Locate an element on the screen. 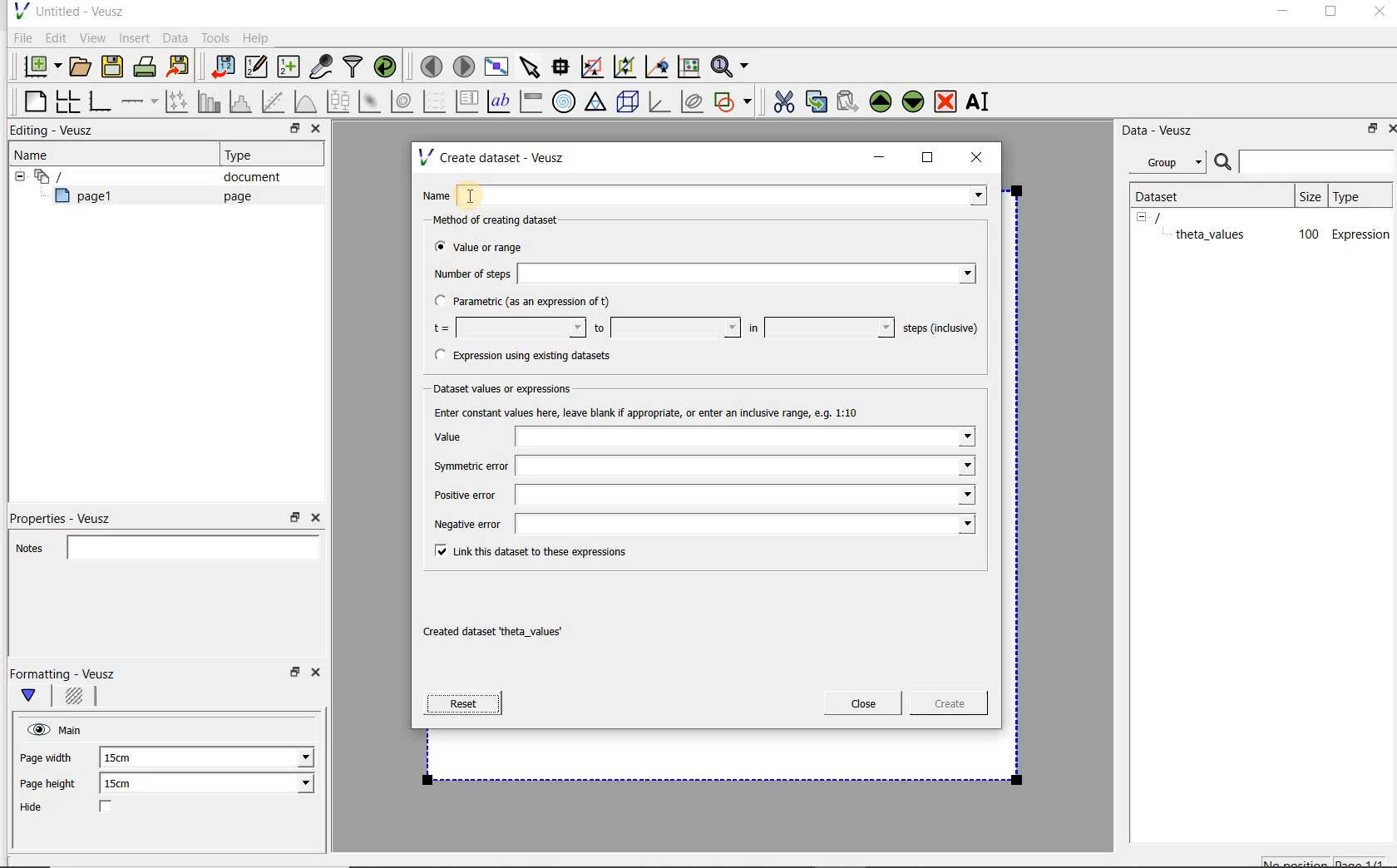 The image size is (1397, 868). page1/1 is located at coordinates (1366, 861).